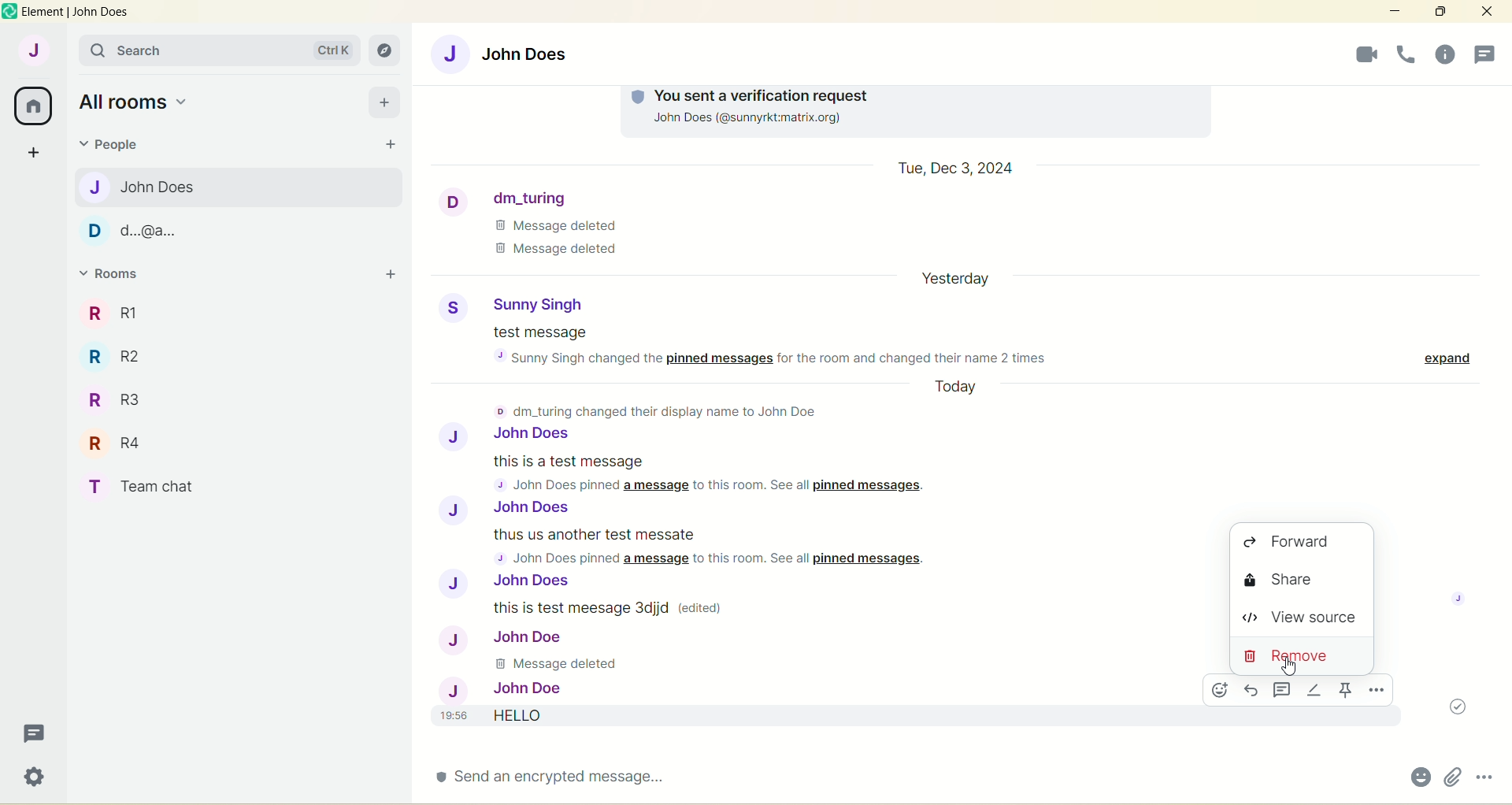 The width and height of the screenshot is (1512, 805). What do you see at coordinates (148, 187) in the screenshot?
I see `John Does` at bounding box center [148, 187].